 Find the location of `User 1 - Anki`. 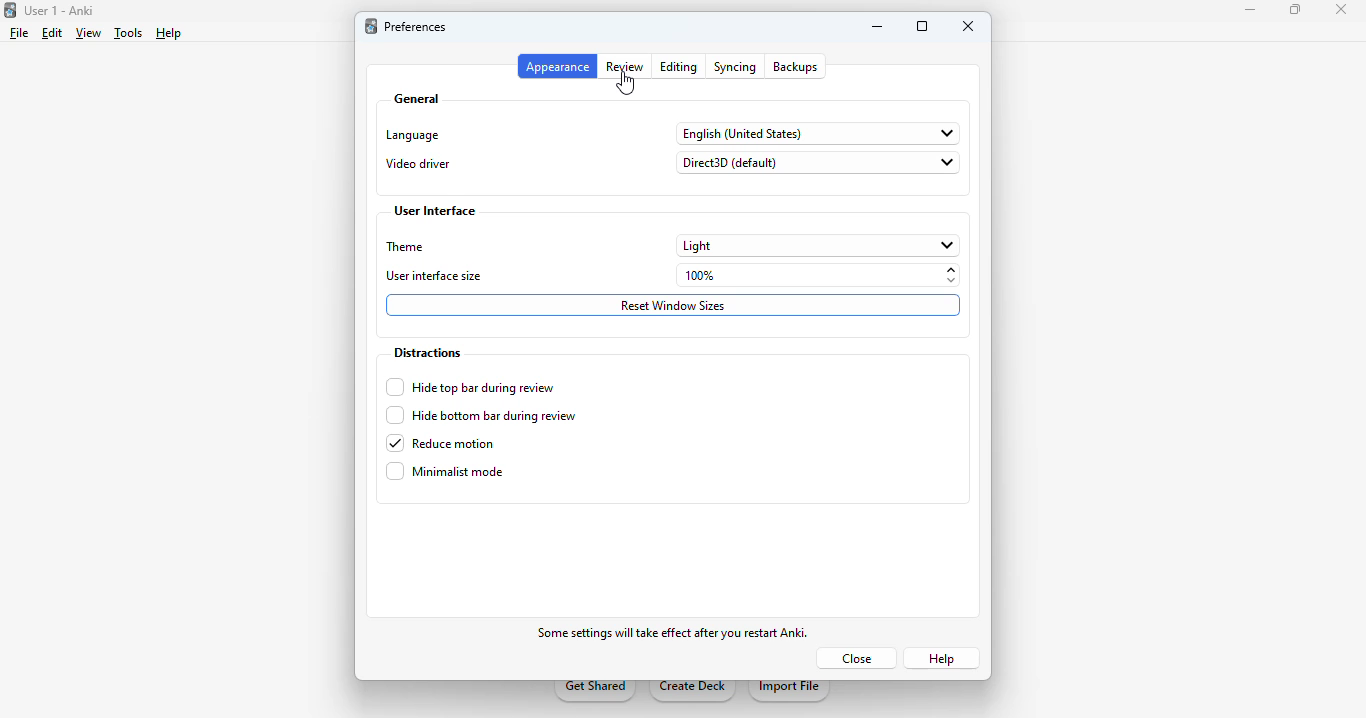

User 1 - Anki is located at coordinates (61, 10).